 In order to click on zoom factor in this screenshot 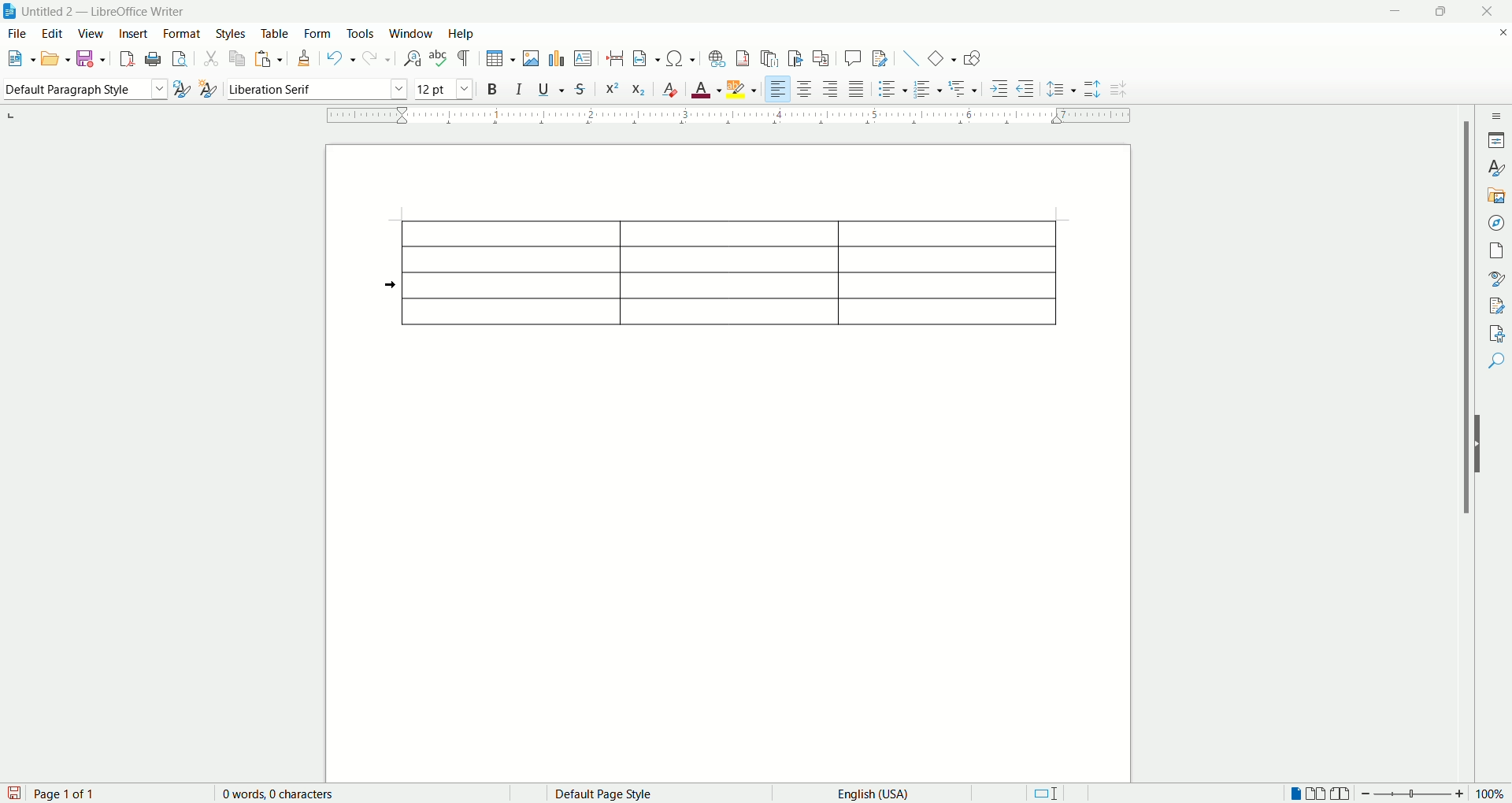, I will do `click(1436, 794)`.